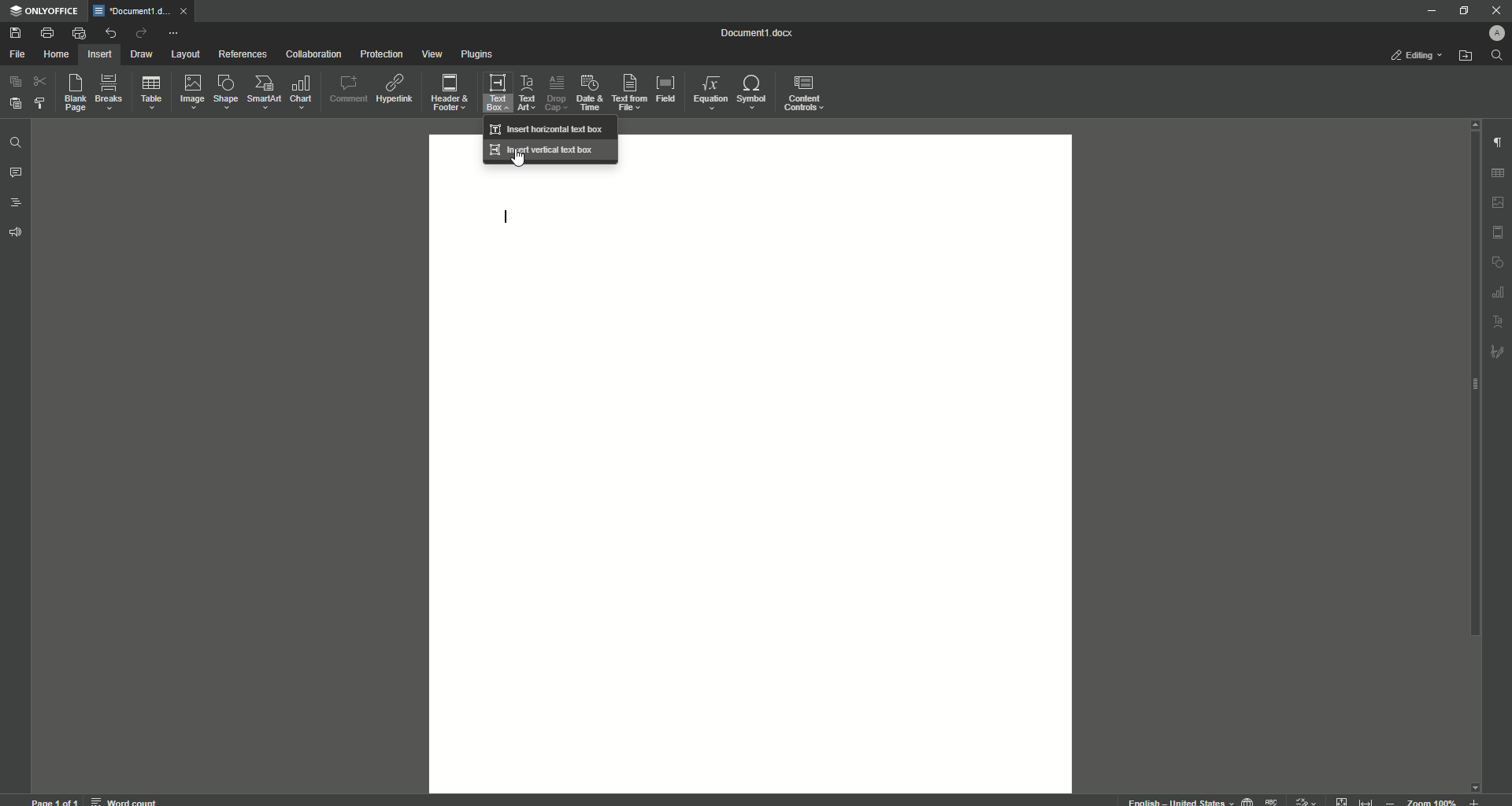 Image resolution: width=1512 pixels, height=806 pixels. I want to click on table, so click(1496, 293).